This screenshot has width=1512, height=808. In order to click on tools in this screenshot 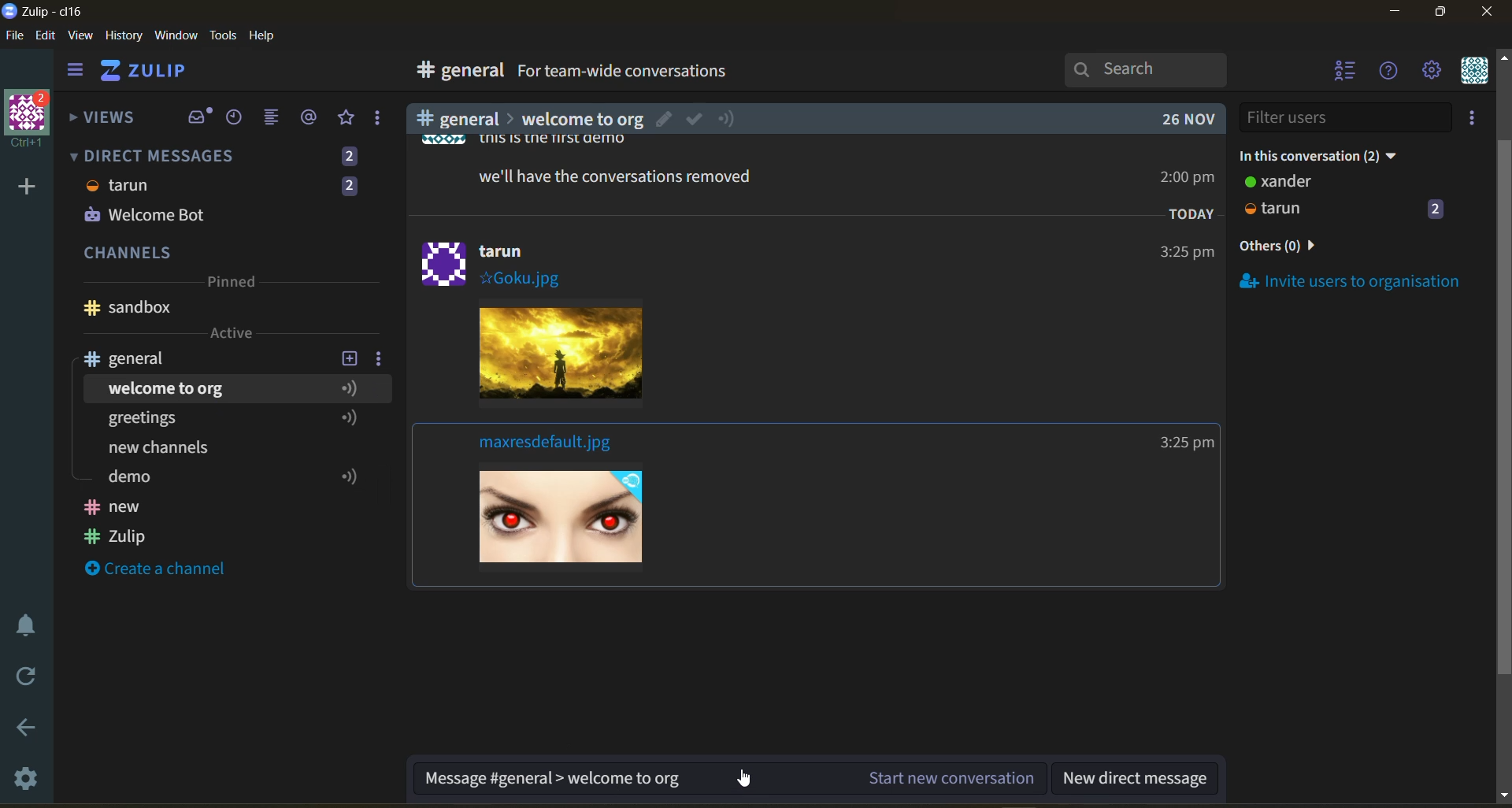, I will do `click(226, 34)`.